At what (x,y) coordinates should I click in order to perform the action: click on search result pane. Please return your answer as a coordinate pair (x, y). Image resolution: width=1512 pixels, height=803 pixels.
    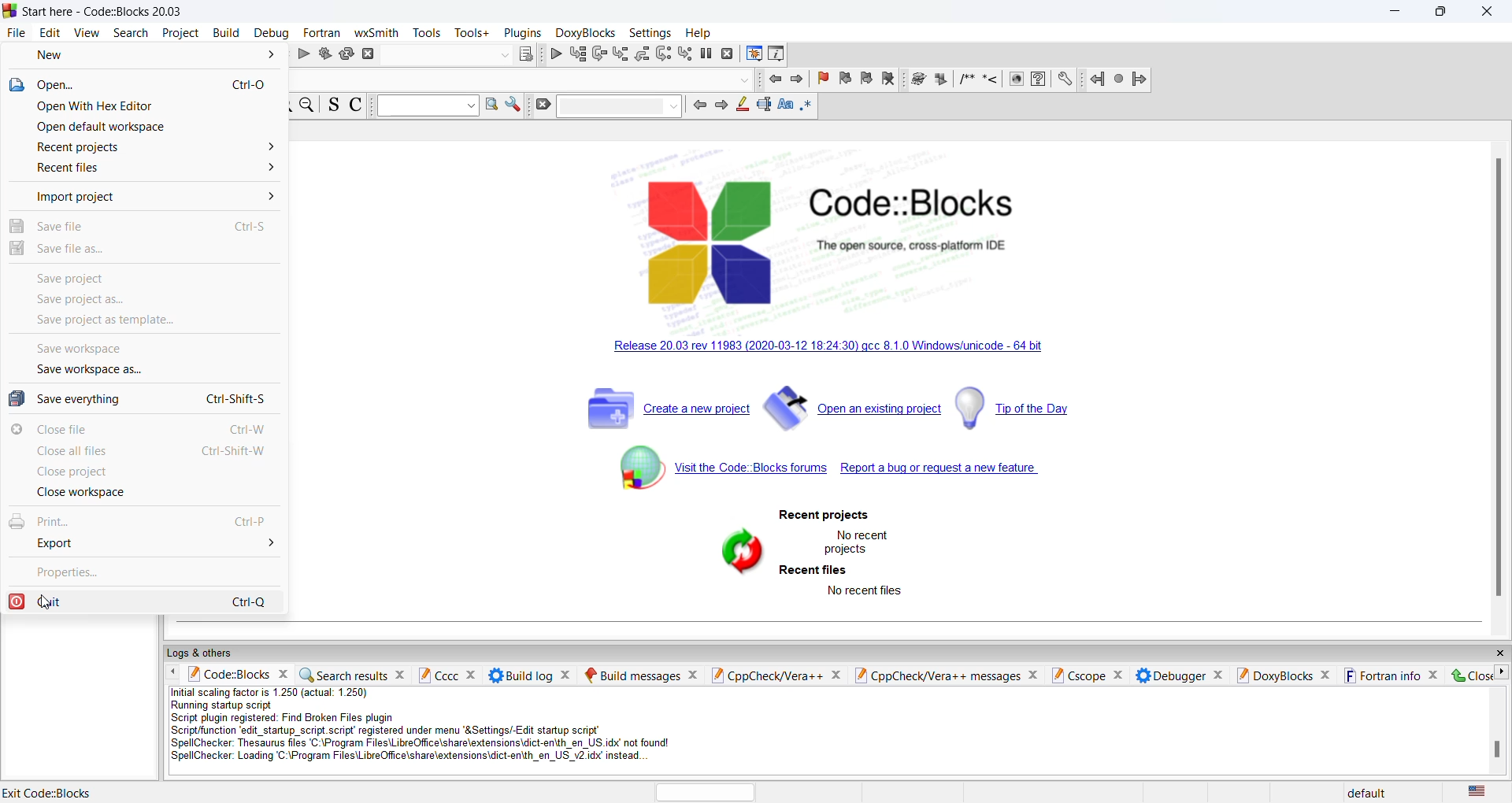
    Looking at the image, I should click on (354, 673).